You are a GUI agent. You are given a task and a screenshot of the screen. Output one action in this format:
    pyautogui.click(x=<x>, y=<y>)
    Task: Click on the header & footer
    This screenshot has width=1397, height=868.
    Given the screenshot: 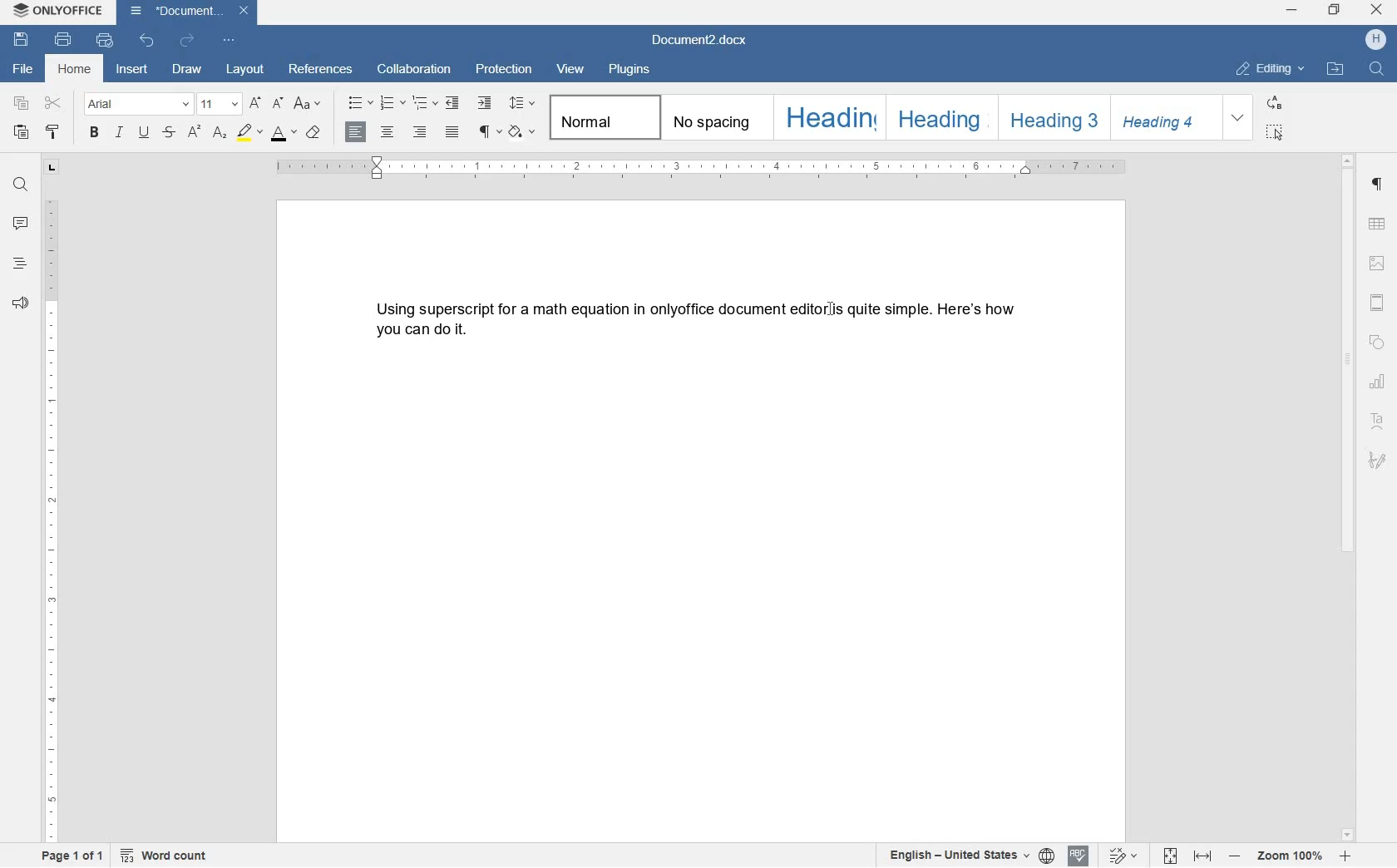 What is the action you would take?
    pyautogui.click(x=1380, y=303)
    